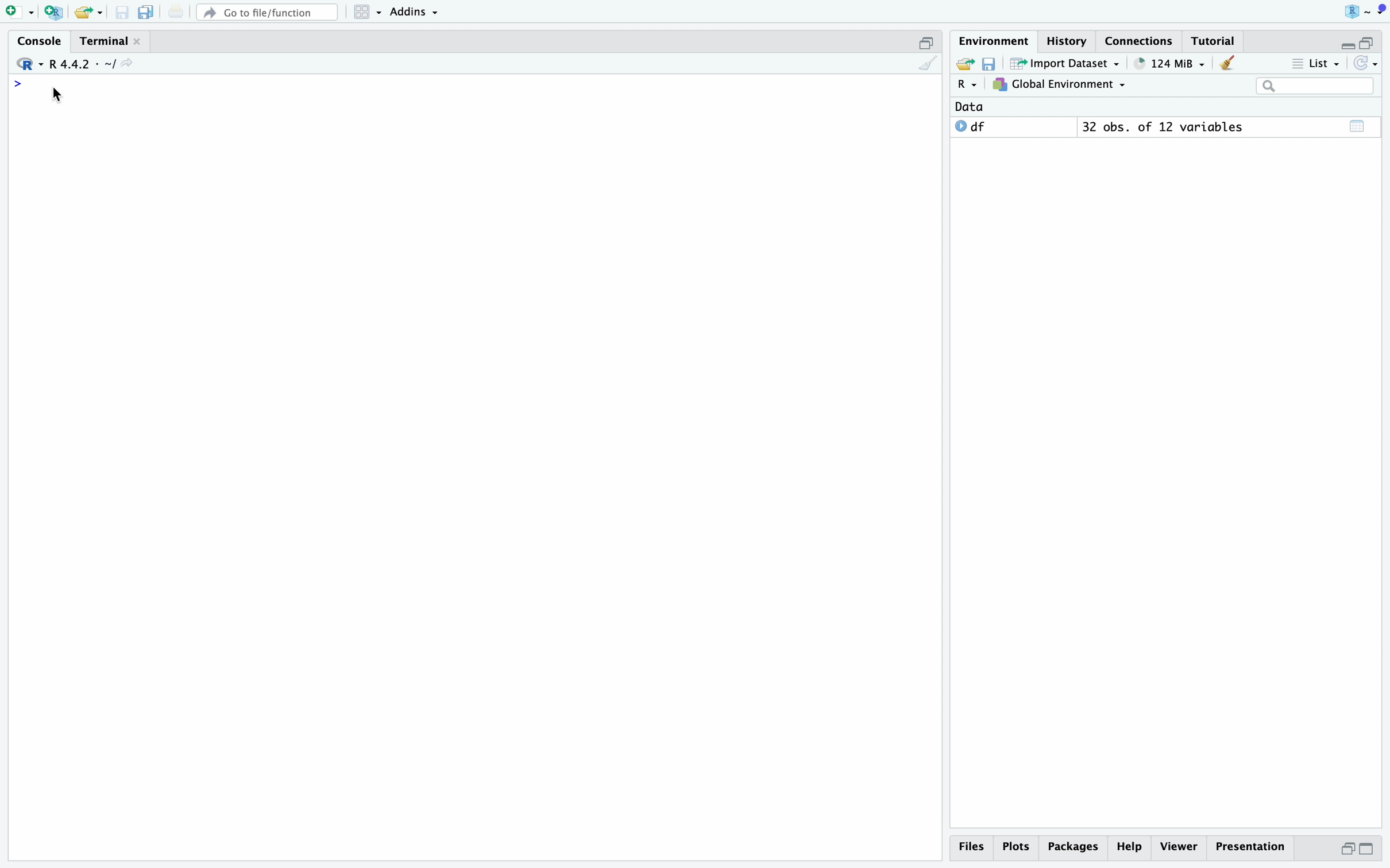  I want to click on save, so click(991, 64).